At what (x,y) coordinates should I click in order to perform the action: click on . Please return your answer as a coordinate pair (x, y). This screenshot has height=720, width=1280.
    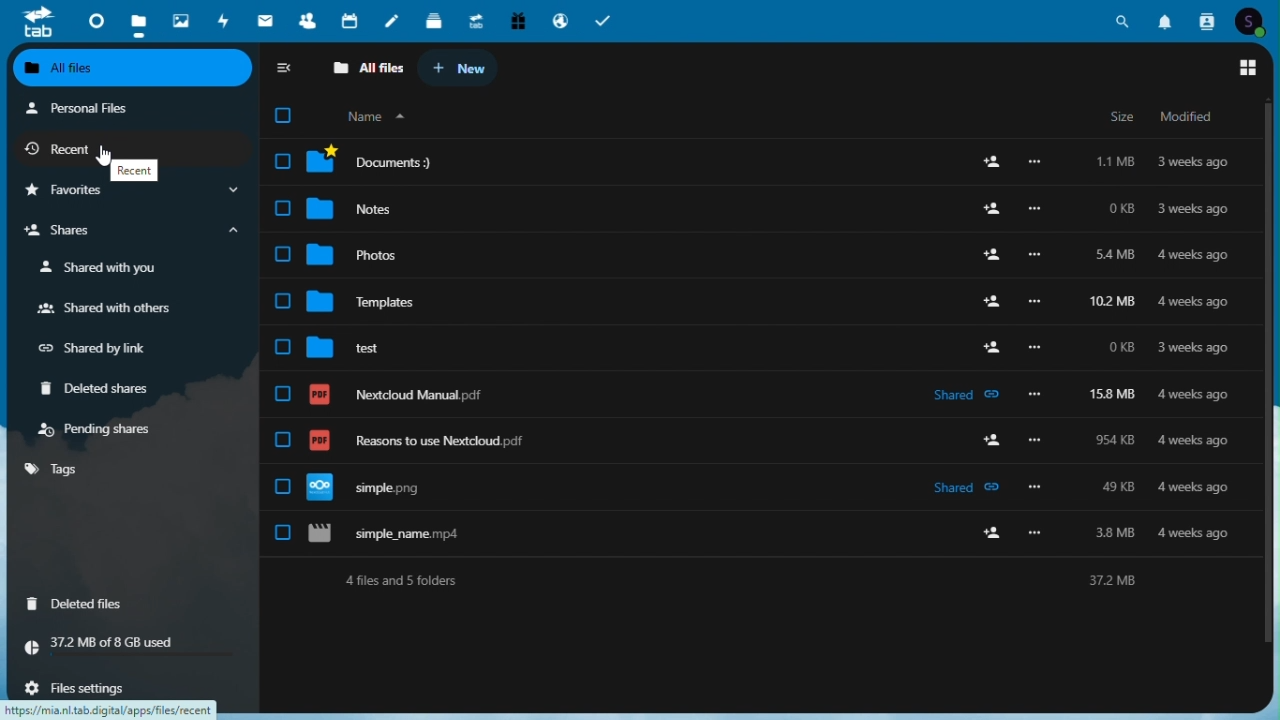
    Looking at the image, I should click on (308, 20).